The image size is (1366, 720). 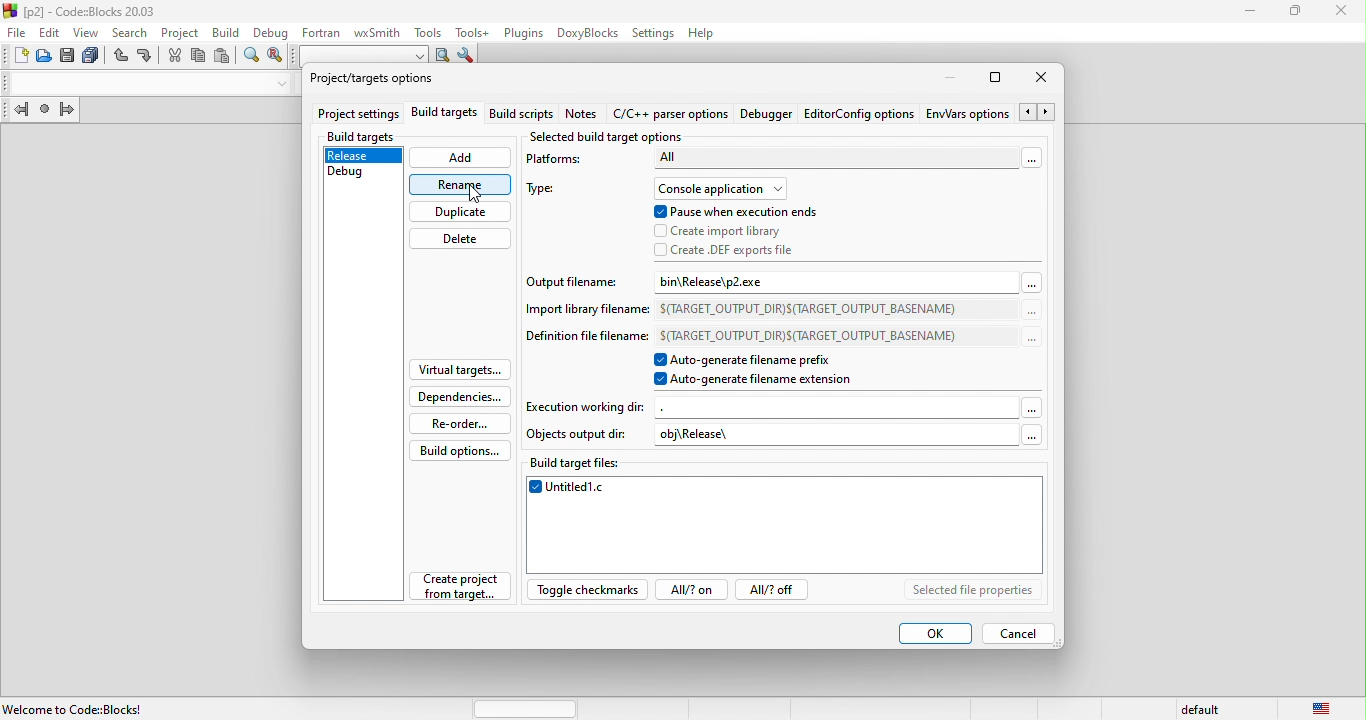 What do you see at coordinates (1032, 282) in the screenshot?
I see `more` at bounding box center [1032, 282].